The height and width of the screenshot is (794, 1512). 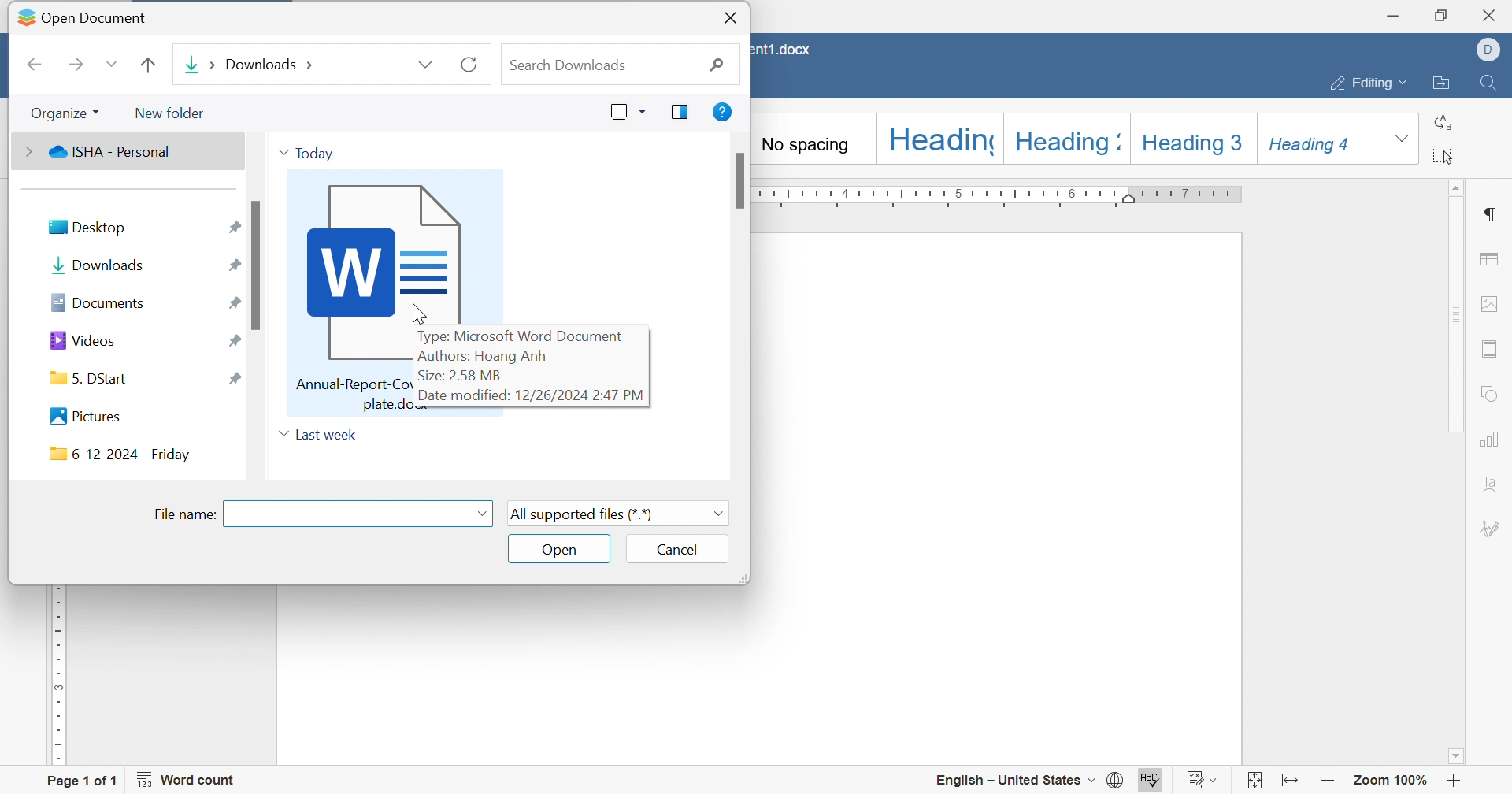 What do you see at coordinates (1389, 782) in the screenshot?
I see `zoom 100%` at bounding box center [1389, 782].